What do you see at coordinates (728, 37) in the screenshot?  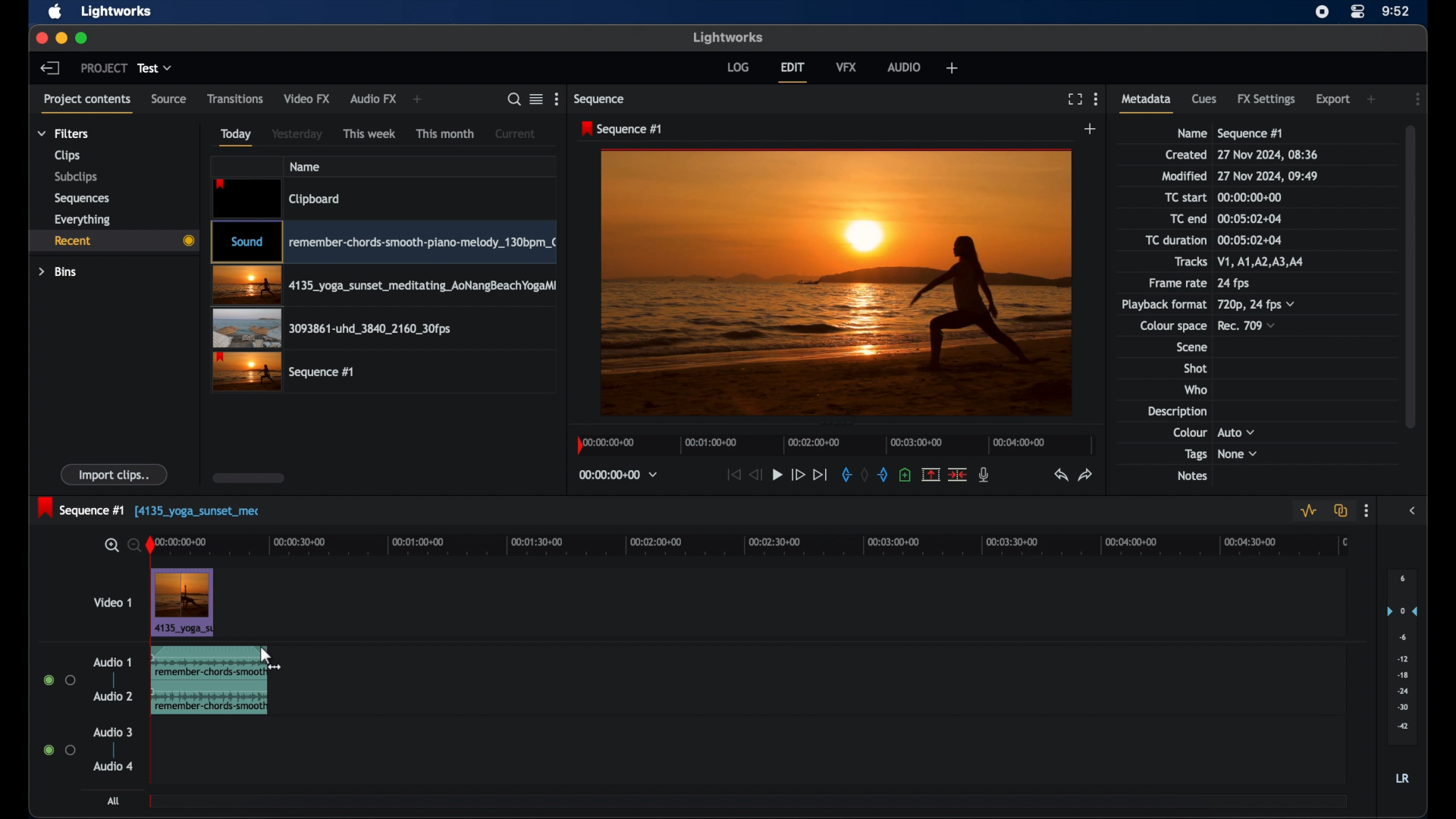 I see `lightworks` at bounding box center [728, 37].